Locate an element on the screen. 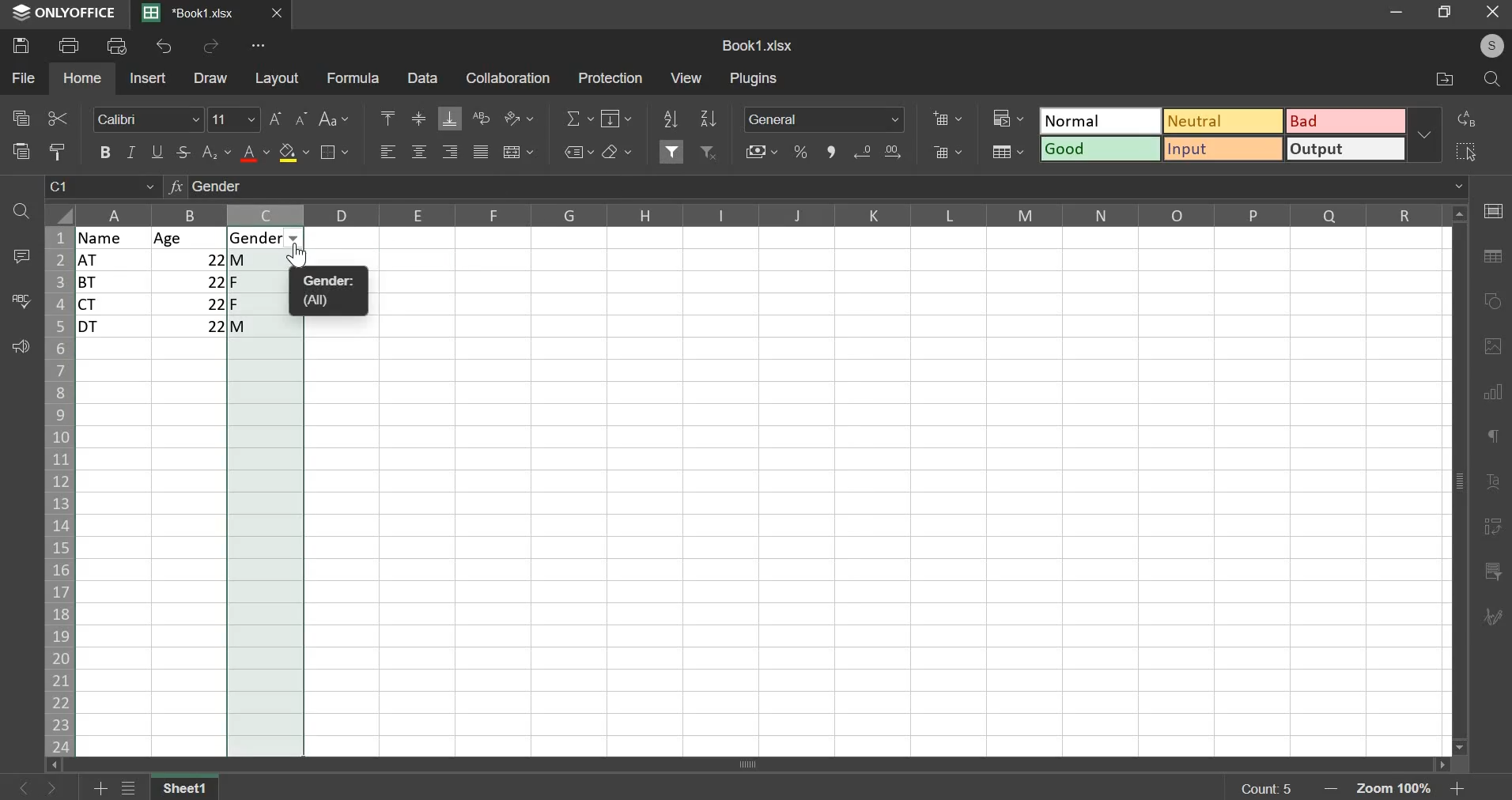  filter is located at coordinates (673, 149).